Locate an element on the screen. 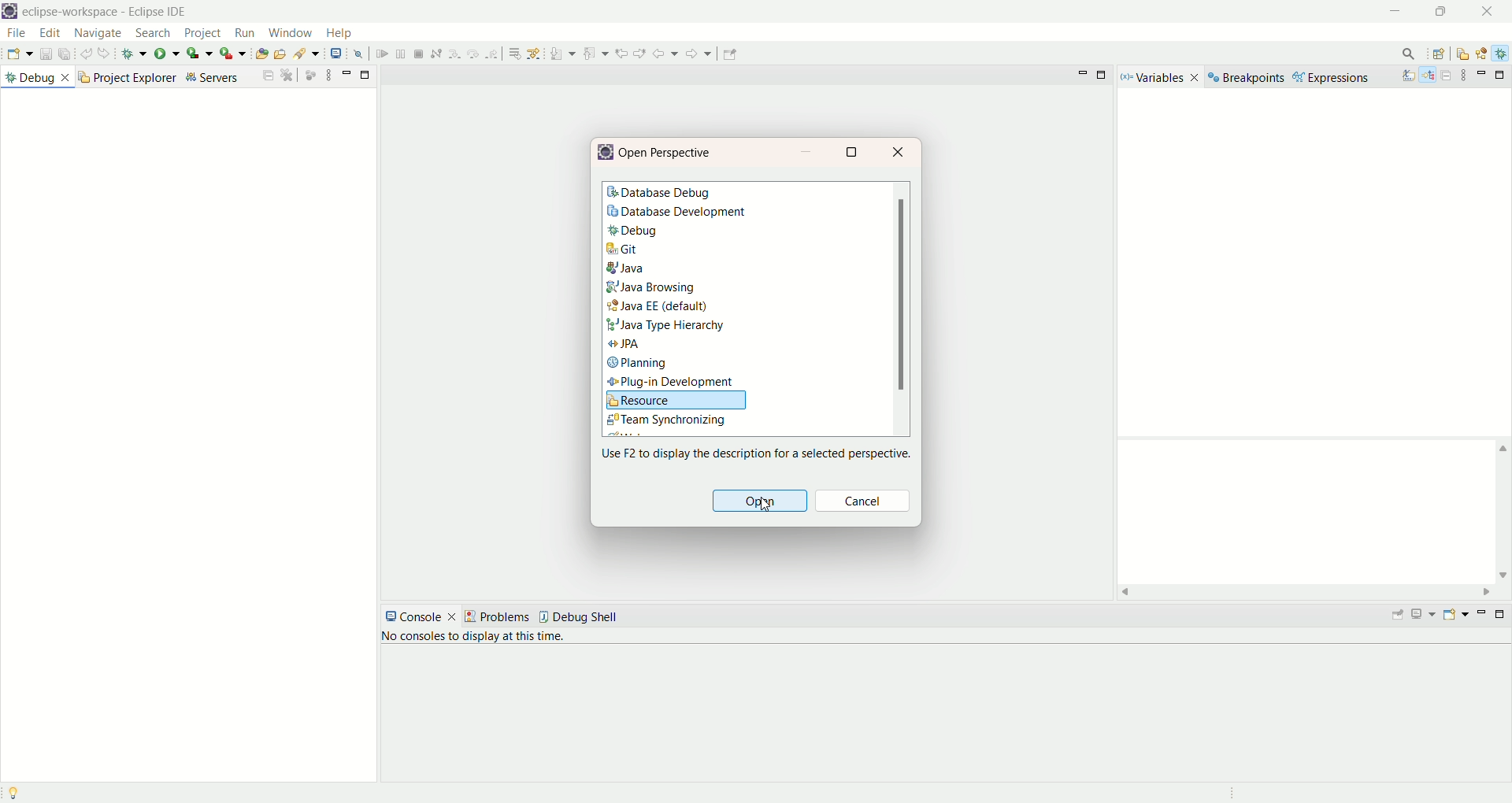 The image size is (1512, 803). minimize is located at coordinates (1081, 74).